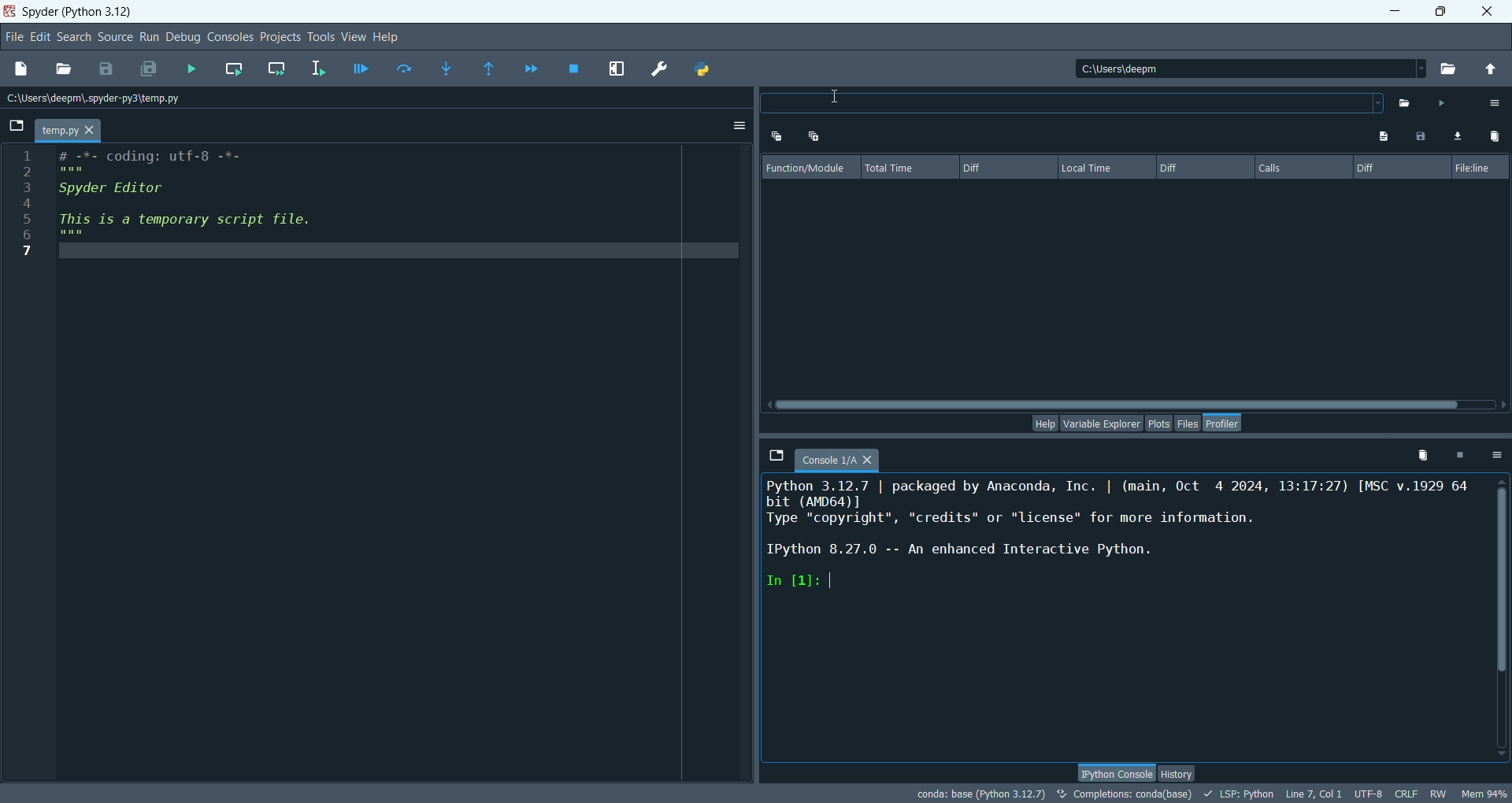 The image size is (1512, 803). I want to click on Mem, so click(1483, 792).